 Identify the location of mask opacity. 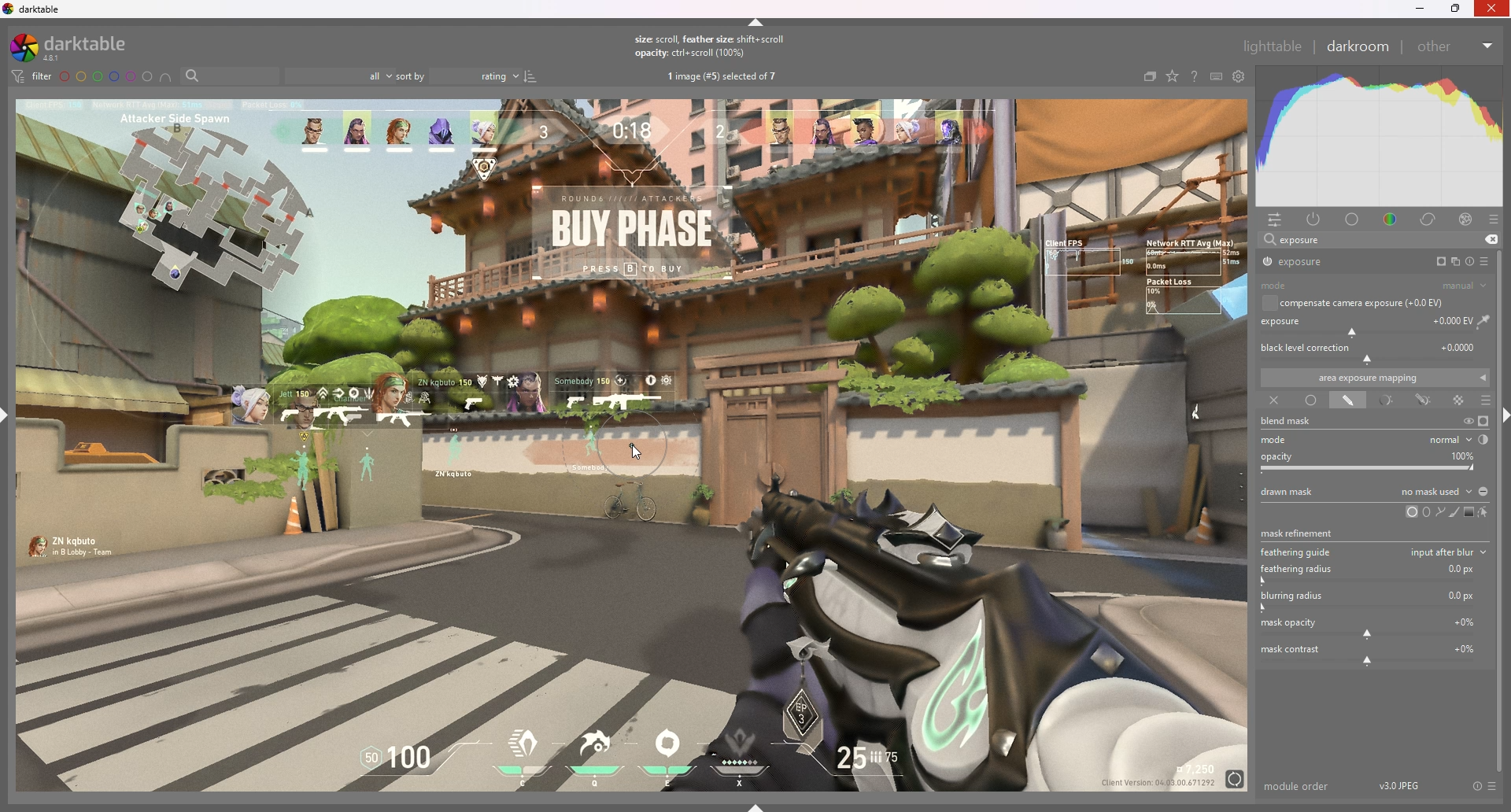
(1372, 627).